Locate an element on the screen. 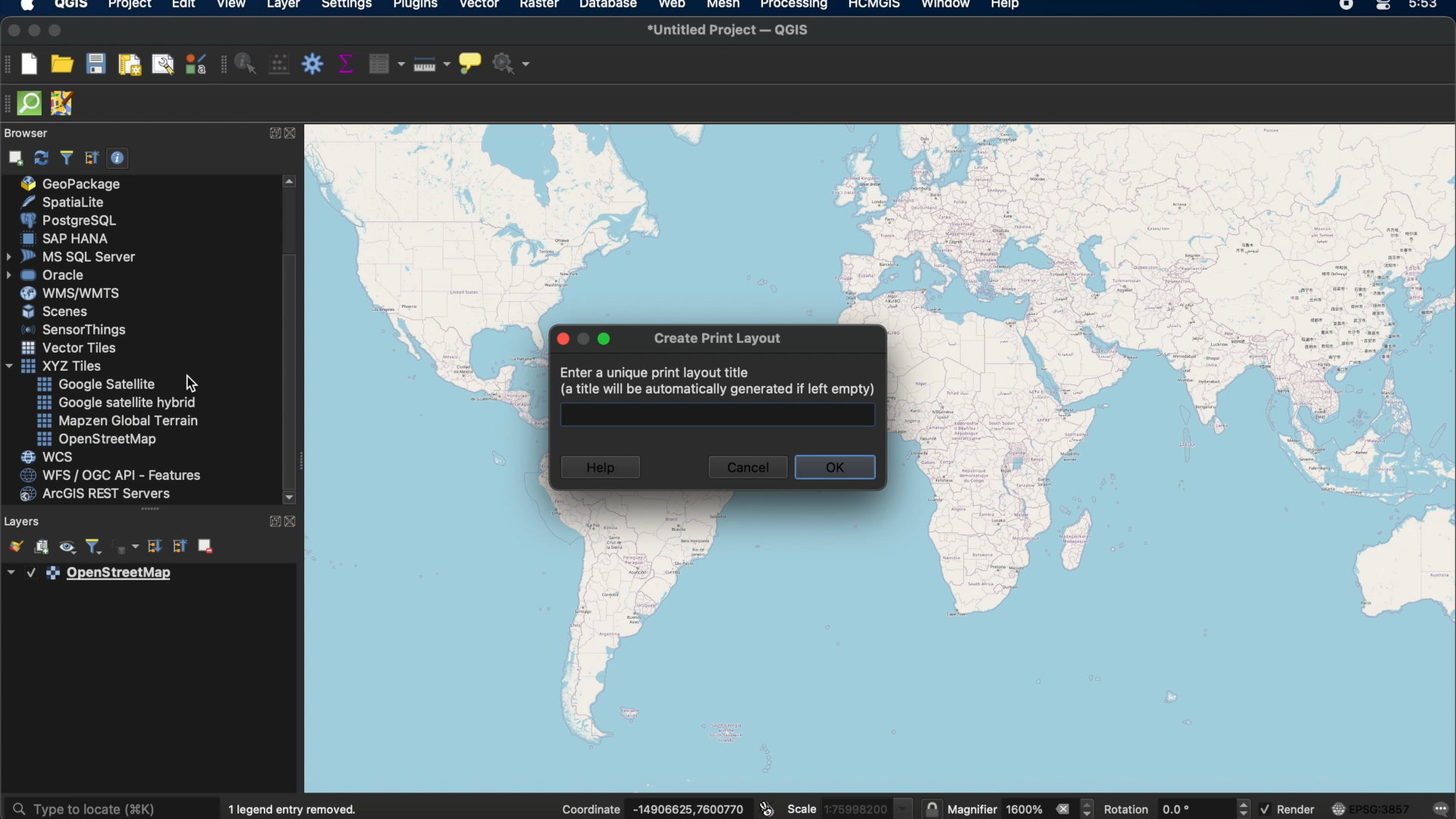 The width and height of the screenshot is (1456, 819). help is located at coordinates (603, 467).